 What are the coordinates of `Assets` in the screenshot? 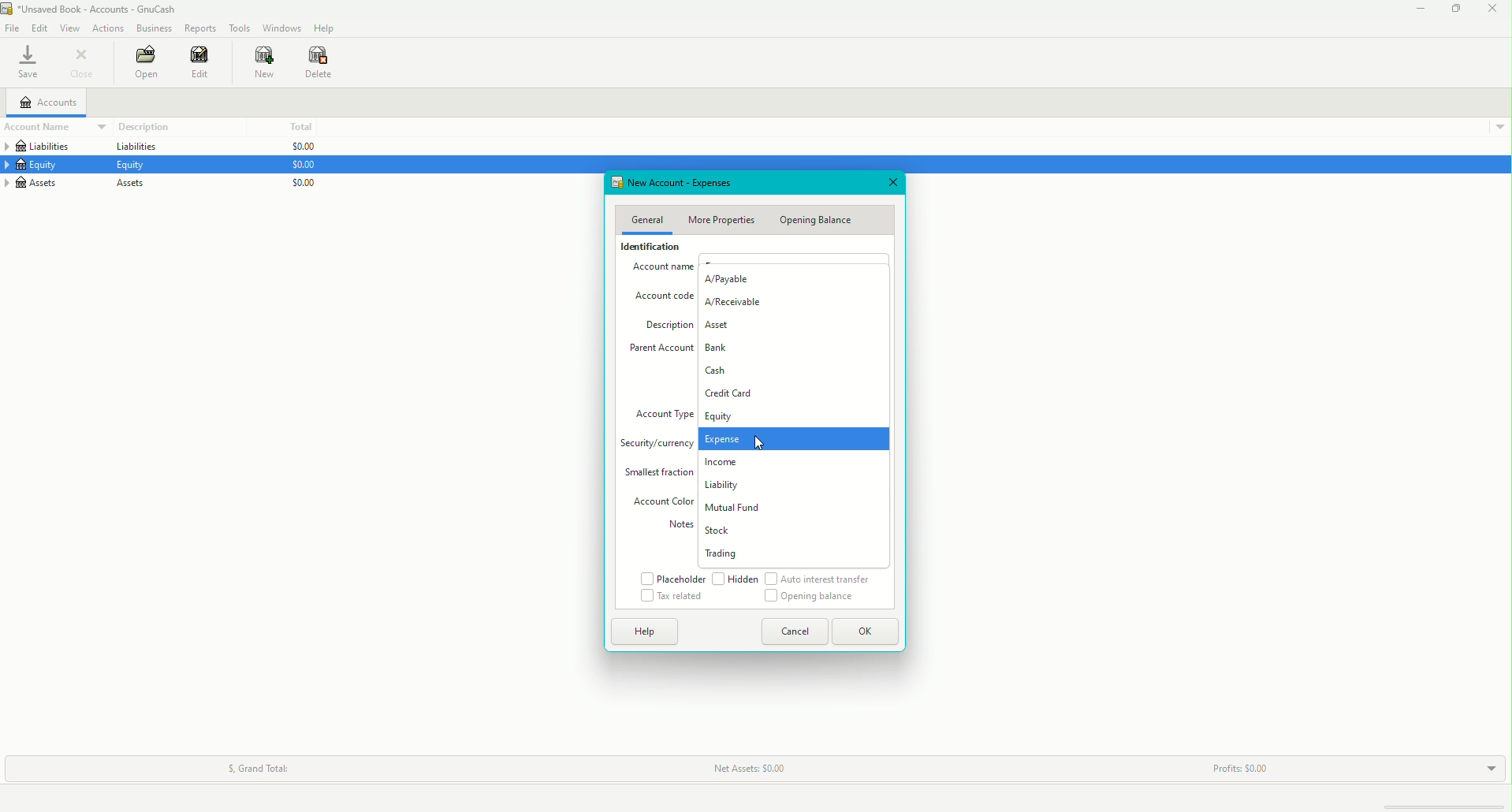 It's located at (132, 184).